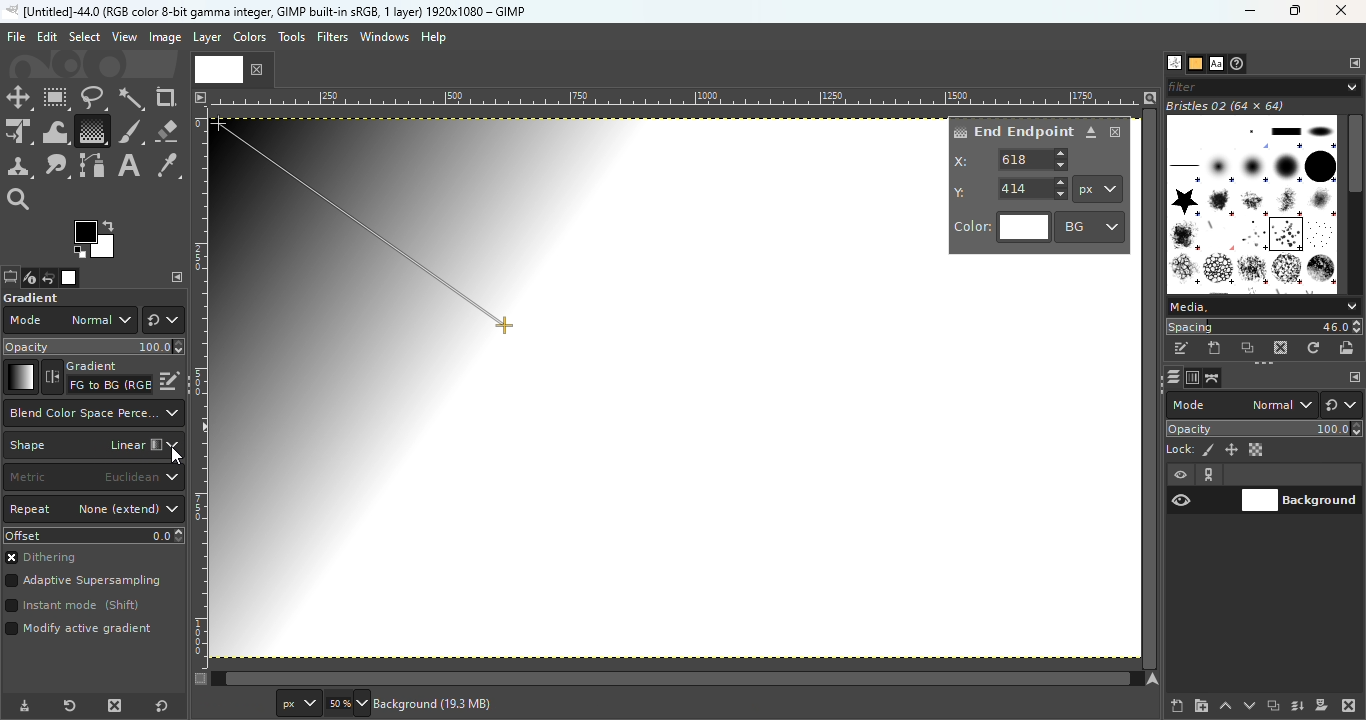 This screenshot has width=1366, height=720. Describe the element at coordinates (166, 705) in the screenshot. I see `Reset to default values` at that location.